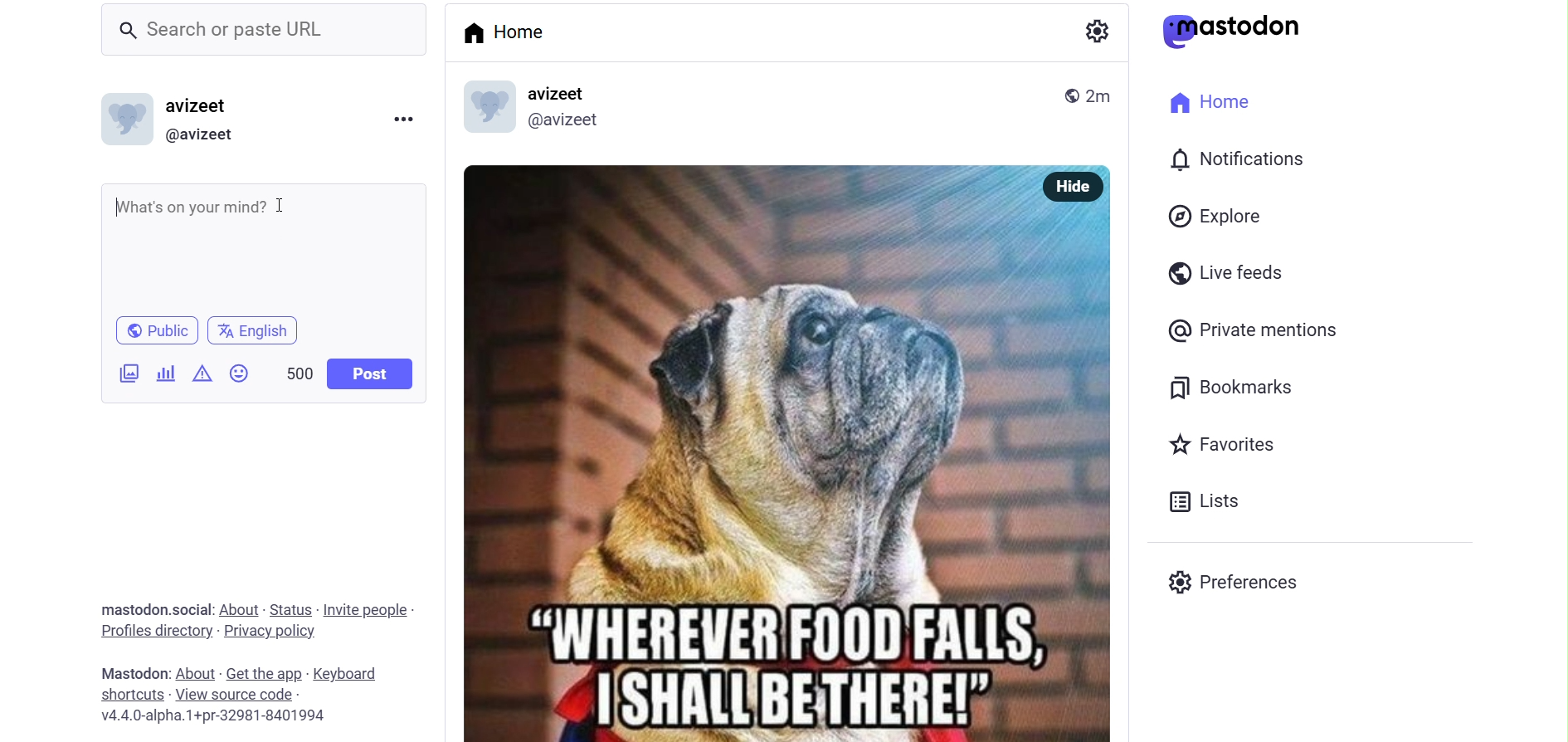 The height and width of the screenshot is (742, 1568). I want to click on profiles directory, so click(152, 630).